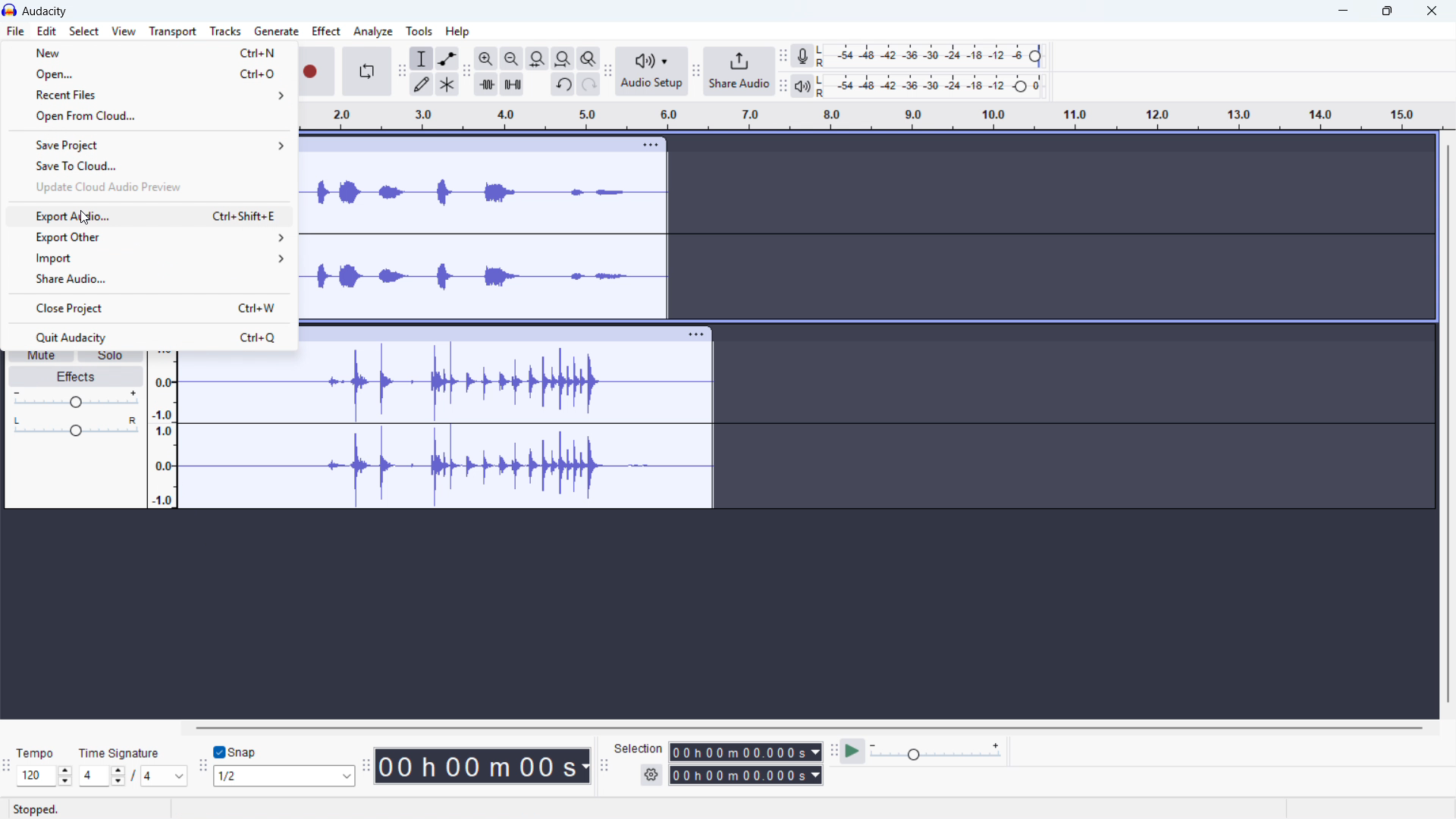 This screenshot has width=1456, height=819. What do you see at coordinates (564, 84) in the screenshot?
I see `Undo ` at bounding box center [564, 84].